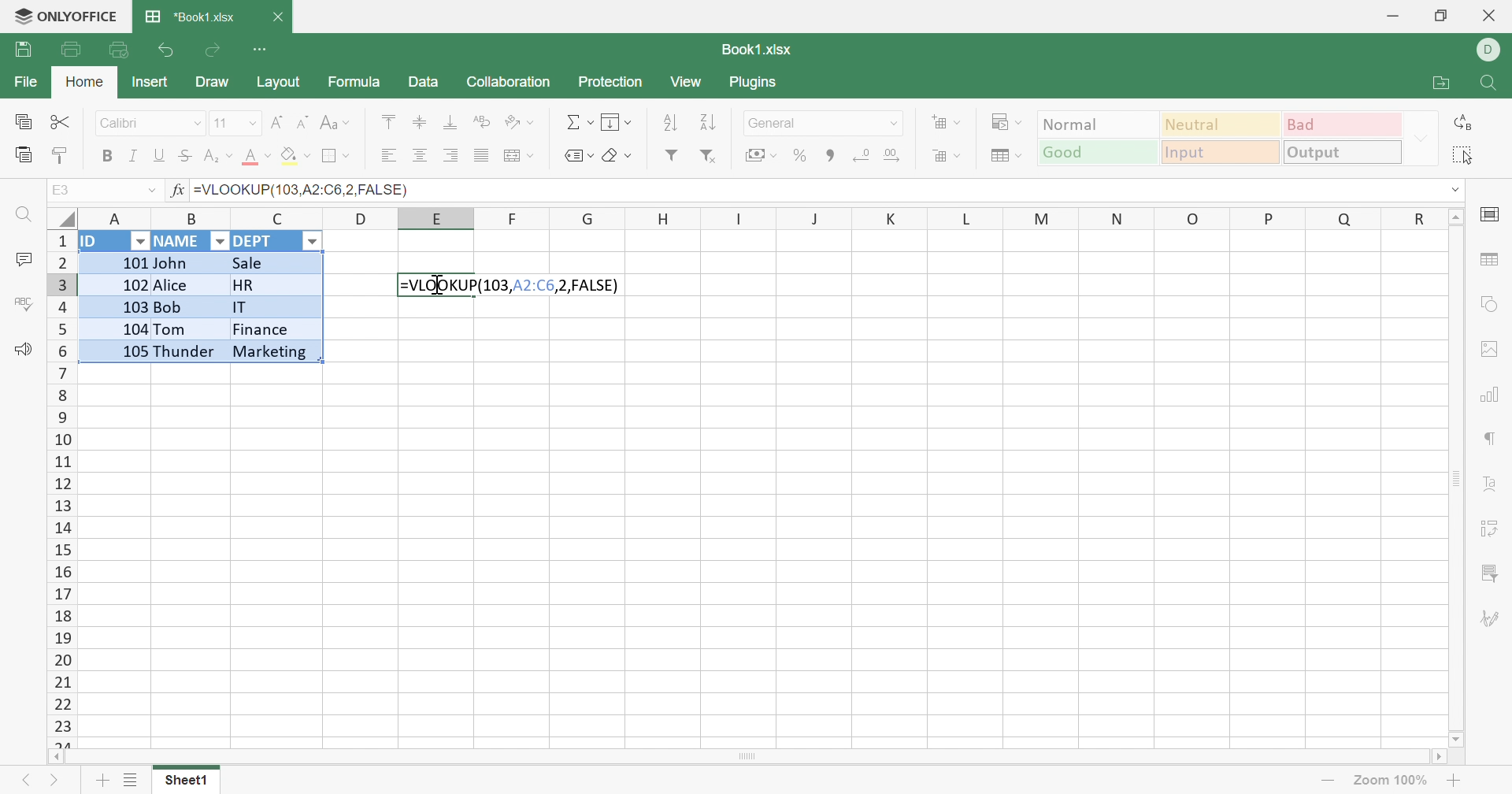 The height and width of the screenshot is (794, 1512). I want to click on =VLOOKUP(103,A2:C6,2,FALSE), so click(514, 285).